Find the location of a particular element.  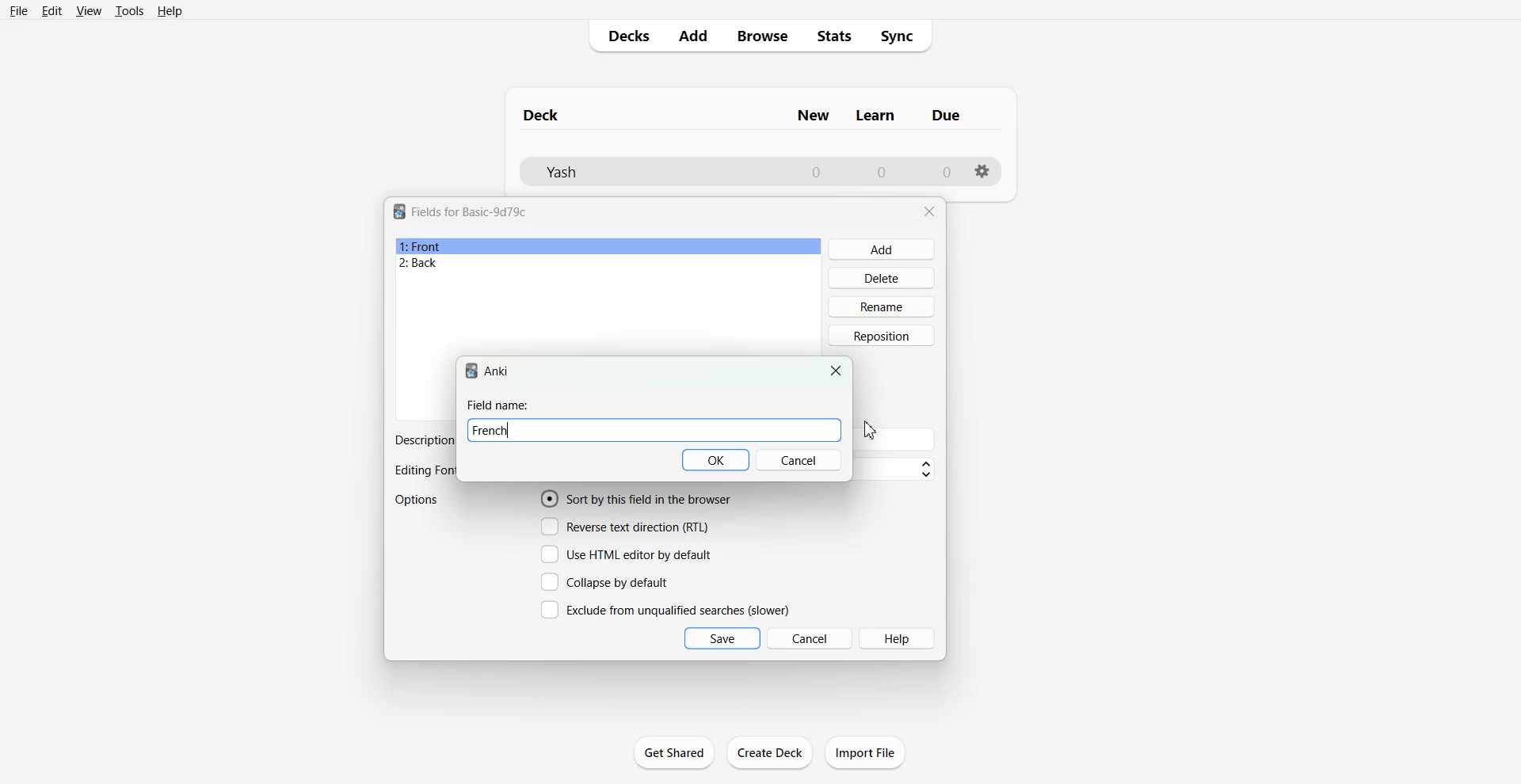

Column name is located at coordinates (946, 115).